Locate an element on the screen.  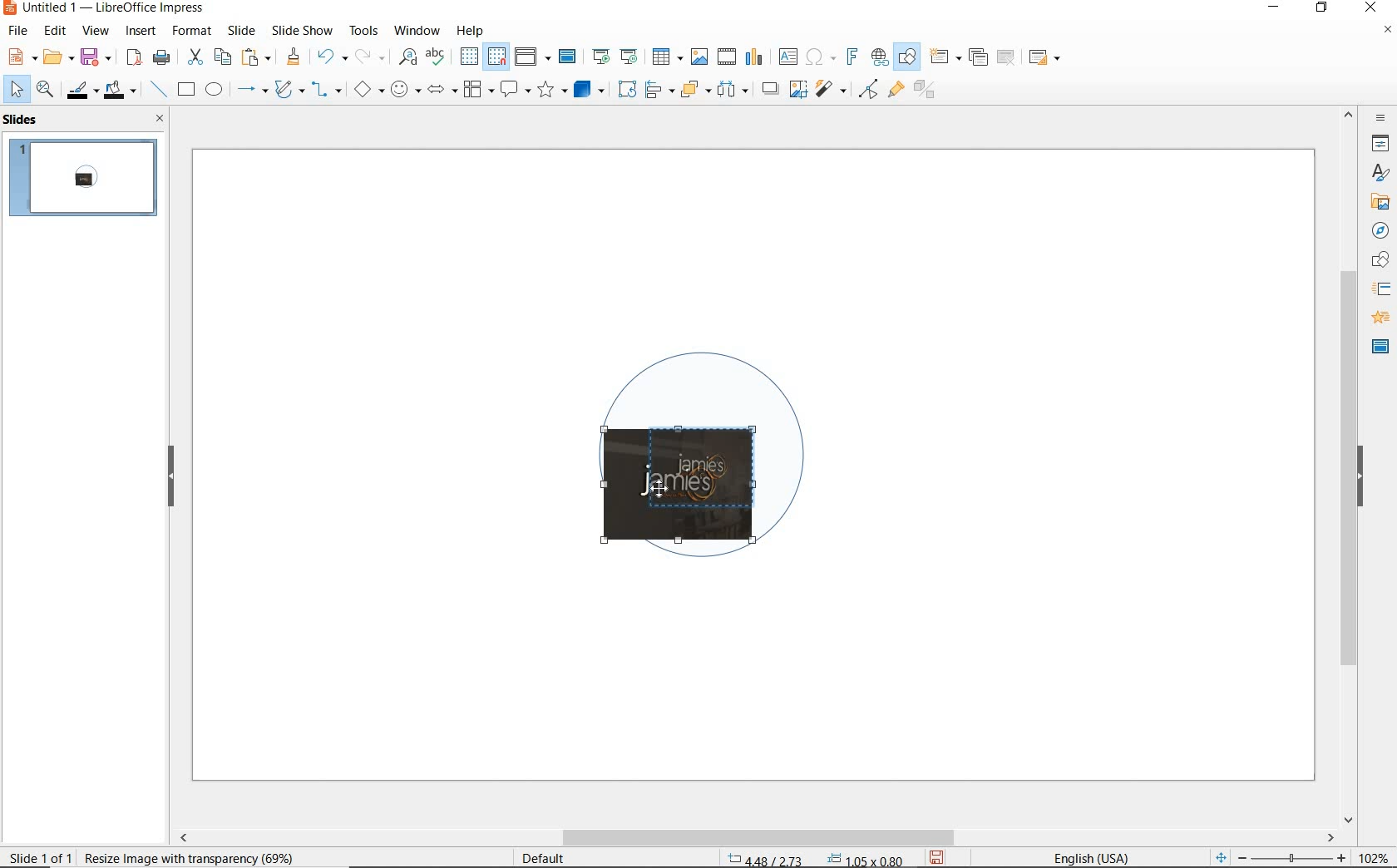
show gluepoint functions is located at coordinates (892, 91).